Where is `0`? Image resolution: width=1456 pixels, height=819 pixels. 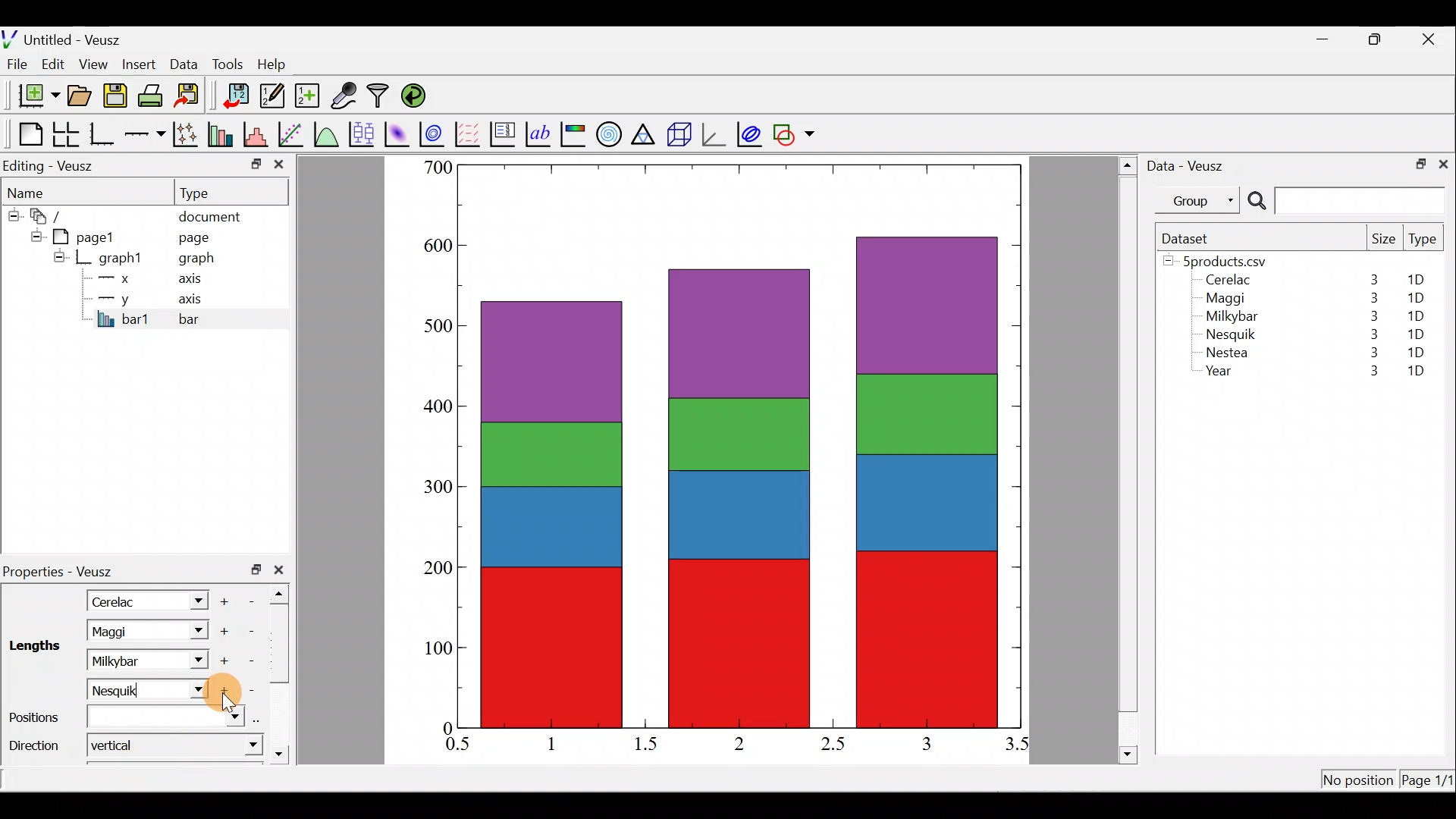 0 is located at coordinates (445, 727).